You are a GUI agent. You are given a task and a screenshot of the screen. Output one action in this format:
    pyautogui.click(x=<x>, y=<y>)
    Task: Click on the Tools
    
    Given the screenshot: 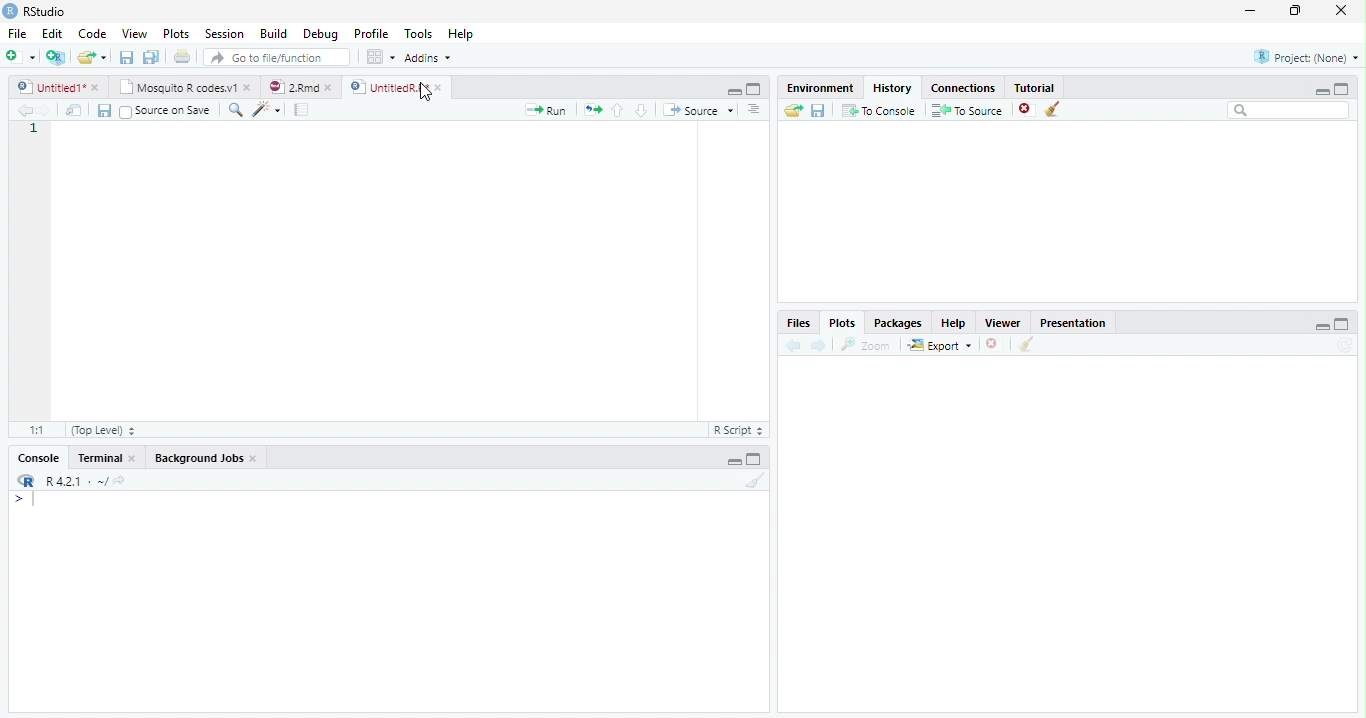 What is the action you would take?
    pyautogui.click(x=420, y=33)
    